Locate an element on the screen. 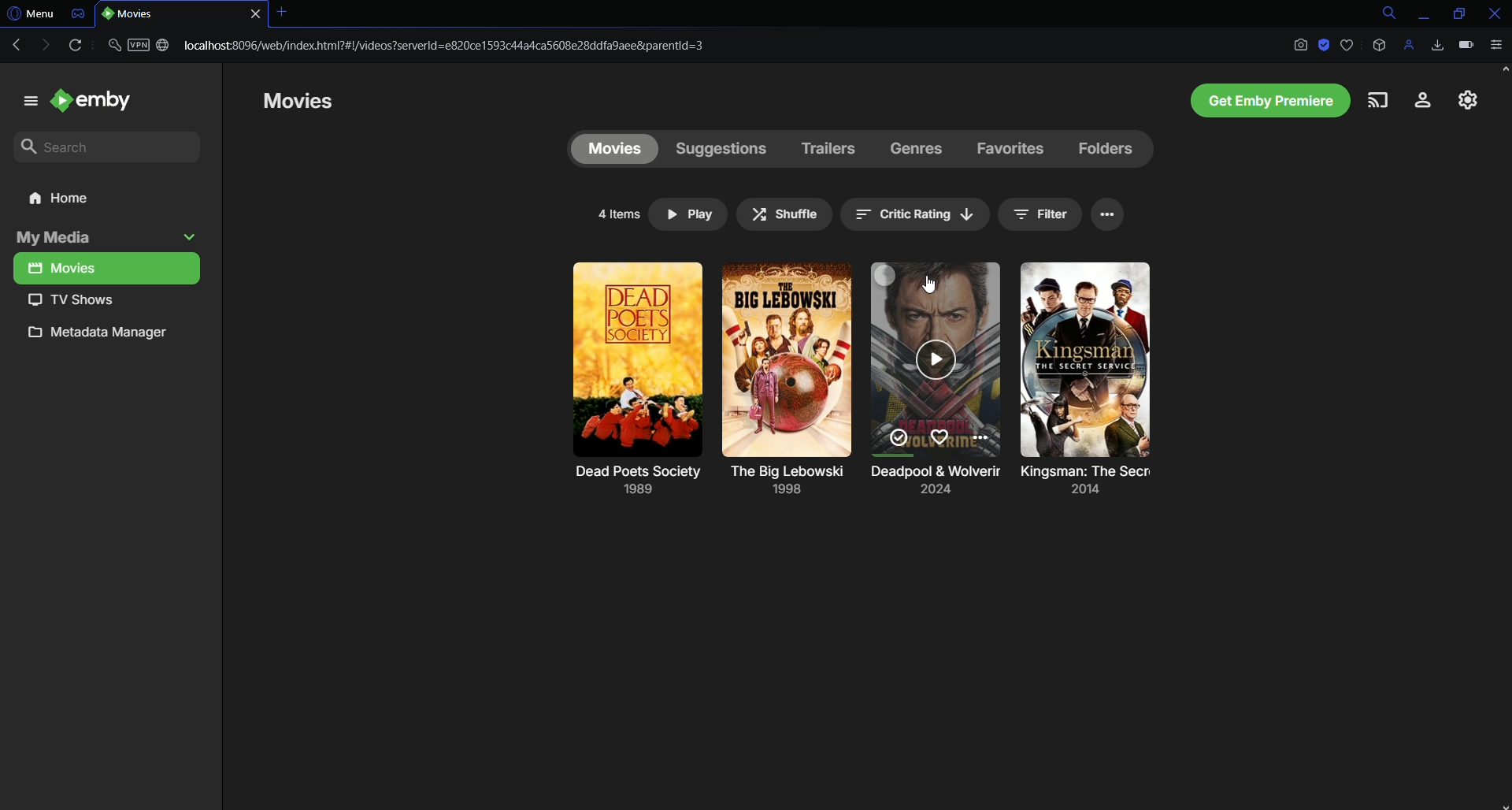 This screenshot has height=810, width=1512. Account is located at coordinates (1416, 102).